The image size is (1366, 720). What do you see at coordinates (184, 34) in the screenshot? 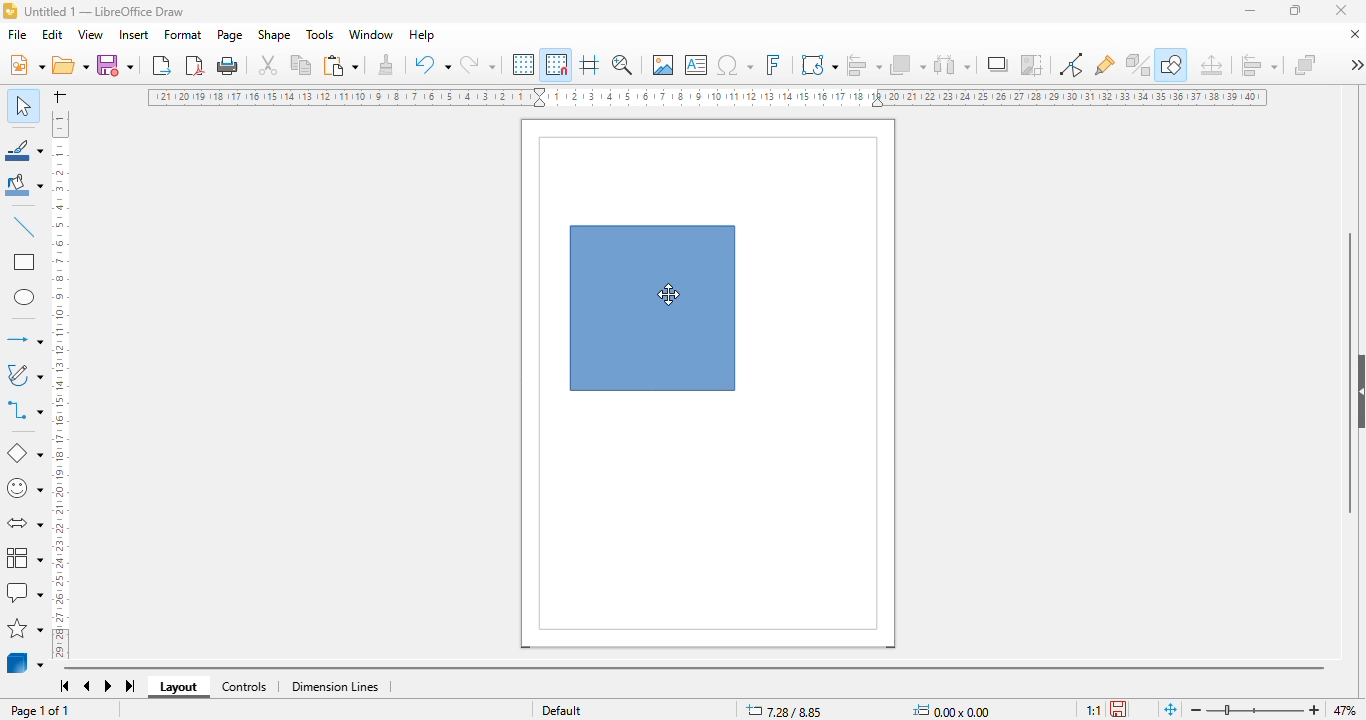
I see `format` at bounding box center [184, 34].